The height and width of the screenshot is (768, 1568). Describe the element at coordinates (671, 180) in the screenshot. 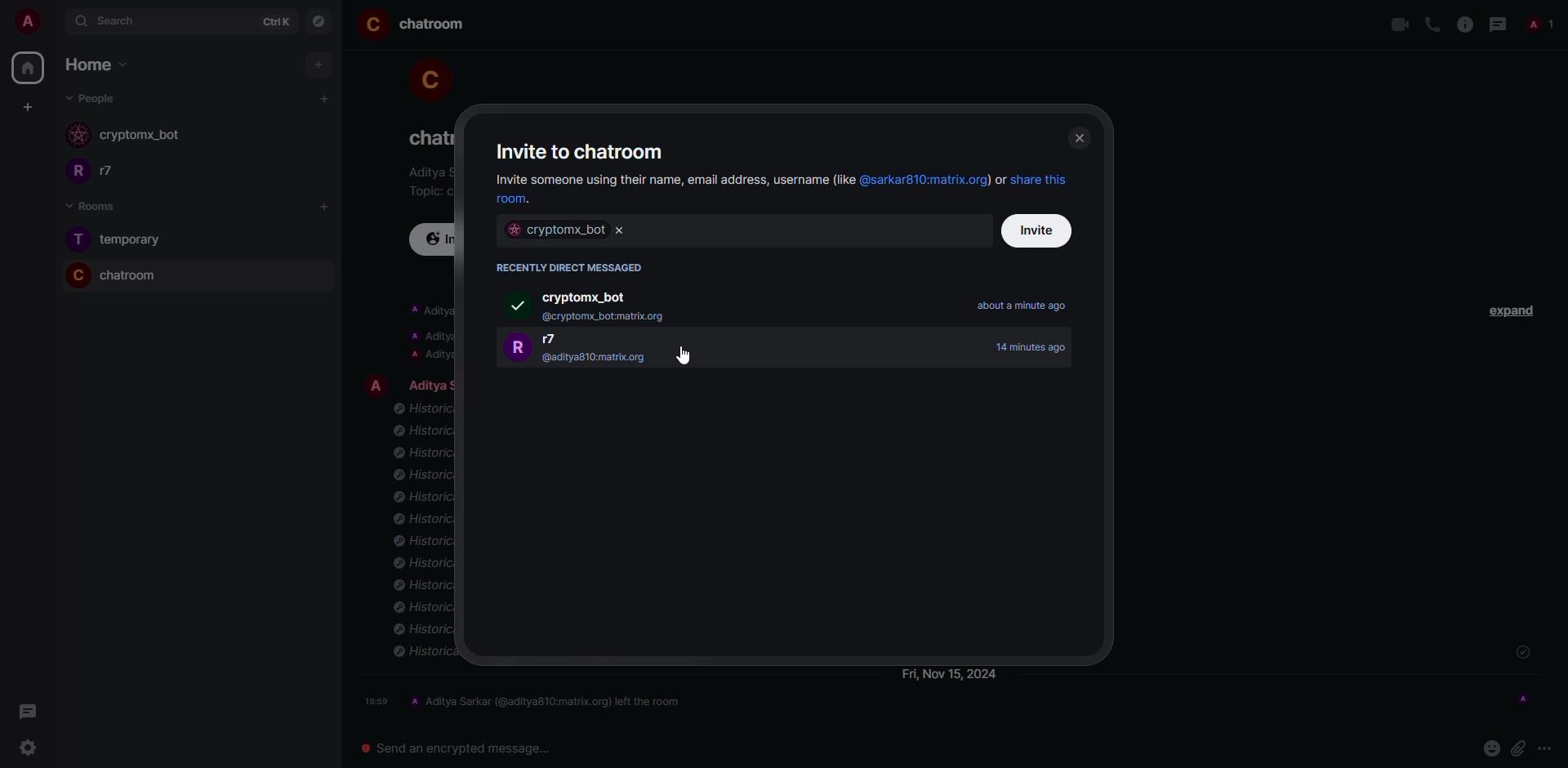

I see `invite share` at that location.